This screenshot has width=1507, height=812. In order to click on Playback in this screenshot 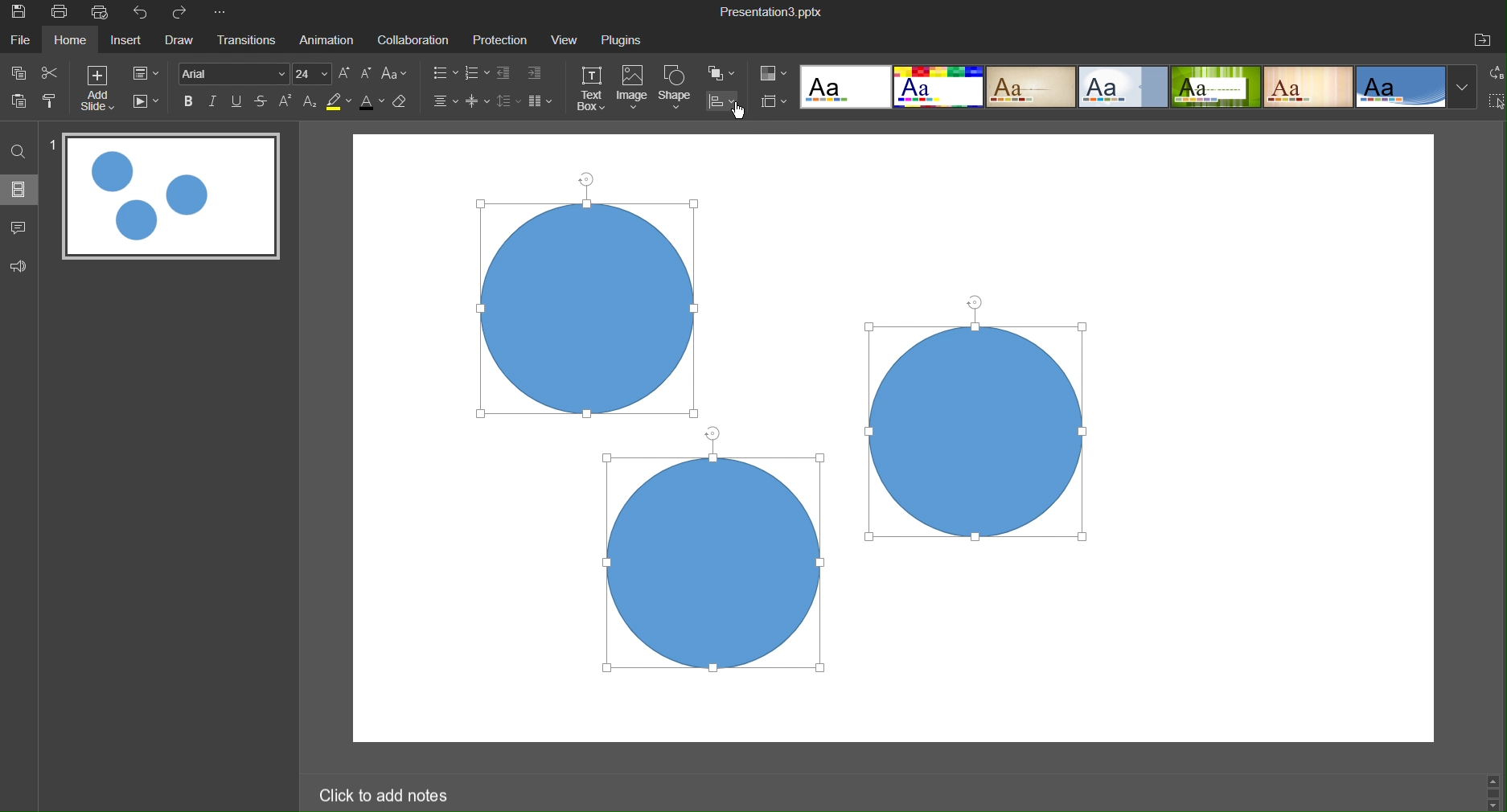, I will do `click(148, 104)`.